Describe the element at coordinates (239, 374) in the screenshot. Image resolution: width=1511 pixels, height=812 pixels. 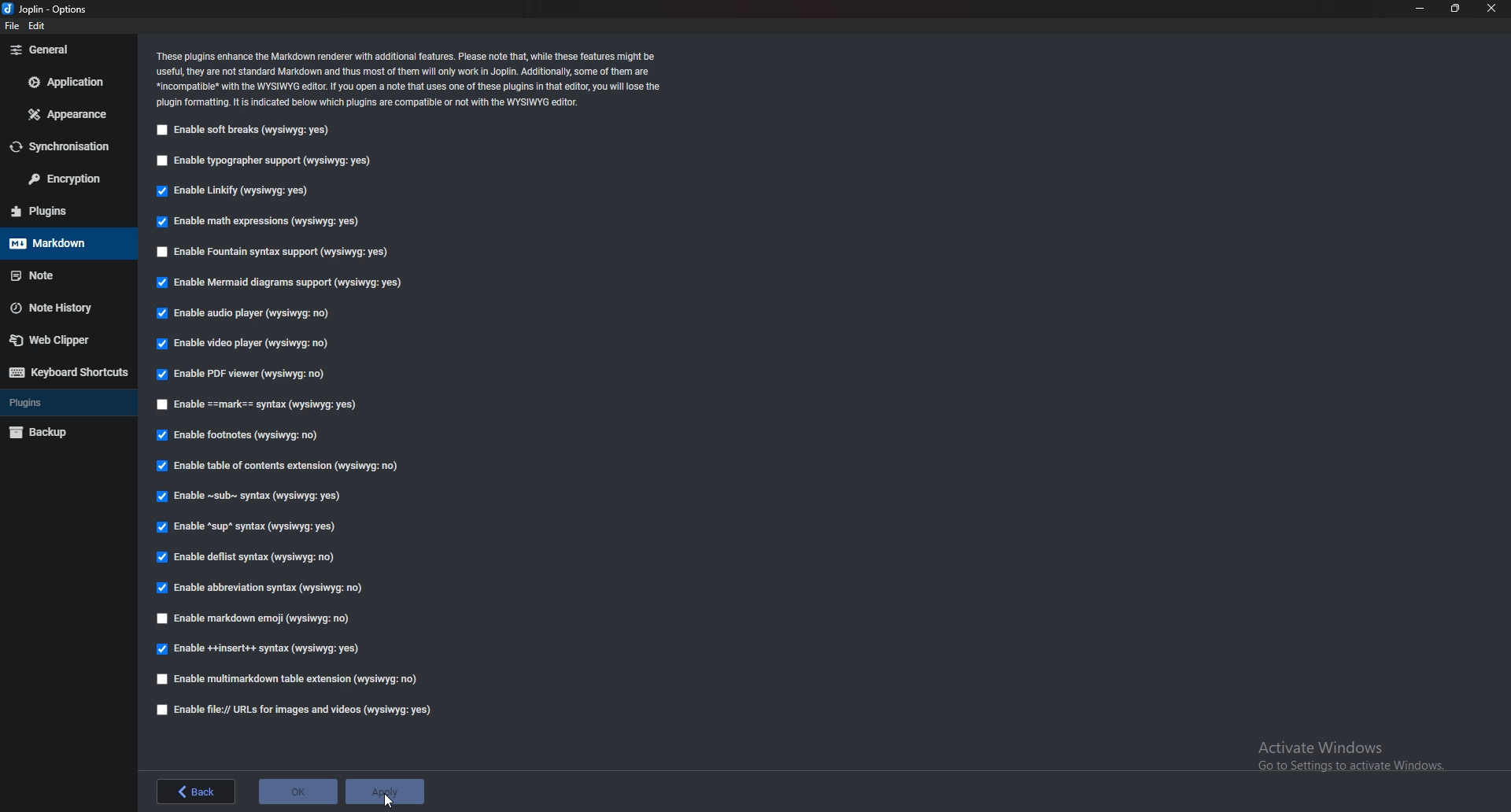
I see `Enable P D F viewer` at that location.